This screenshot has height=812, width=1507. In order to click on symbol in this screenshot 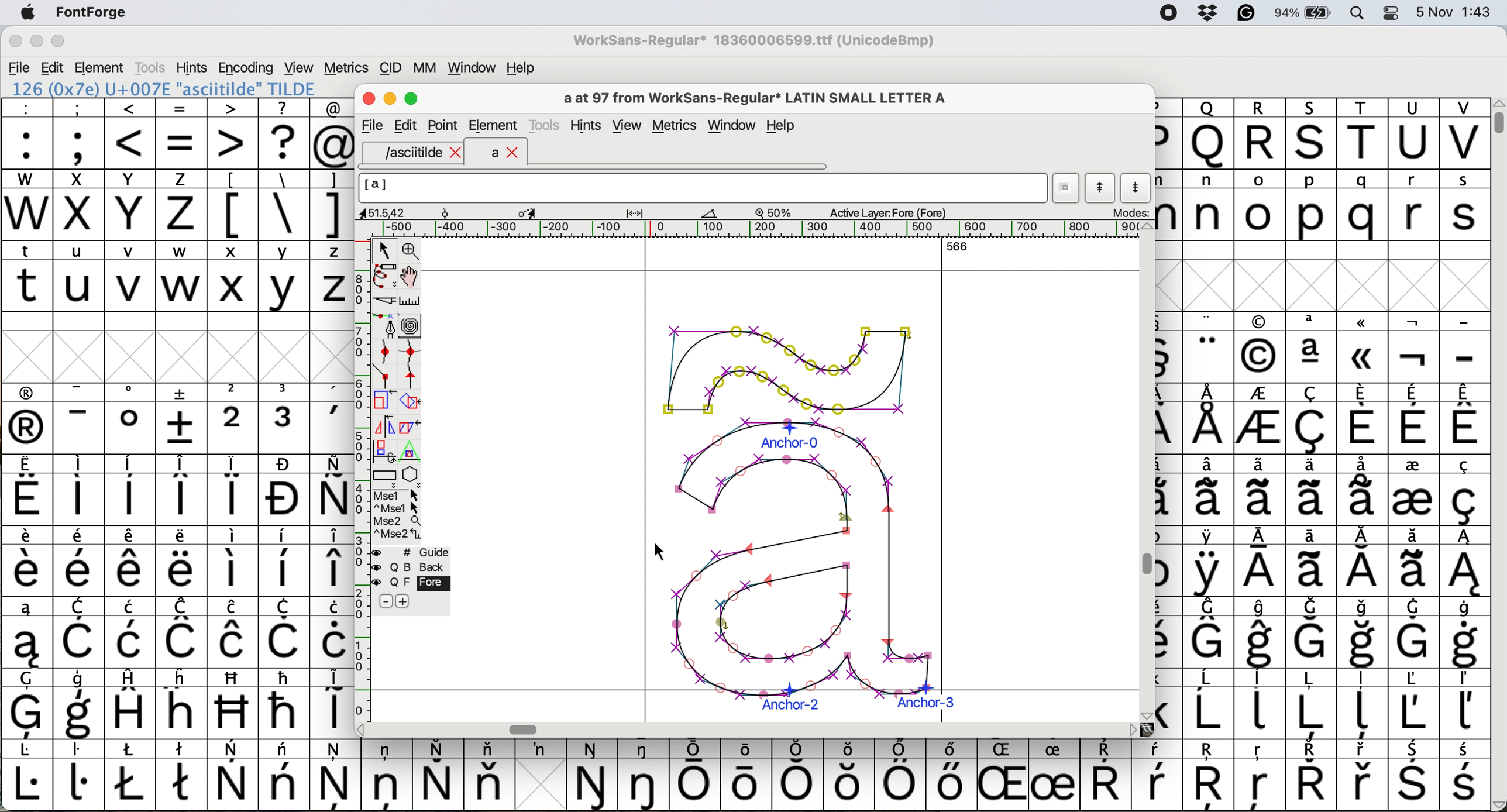, I will do `click(1260, 563)`.